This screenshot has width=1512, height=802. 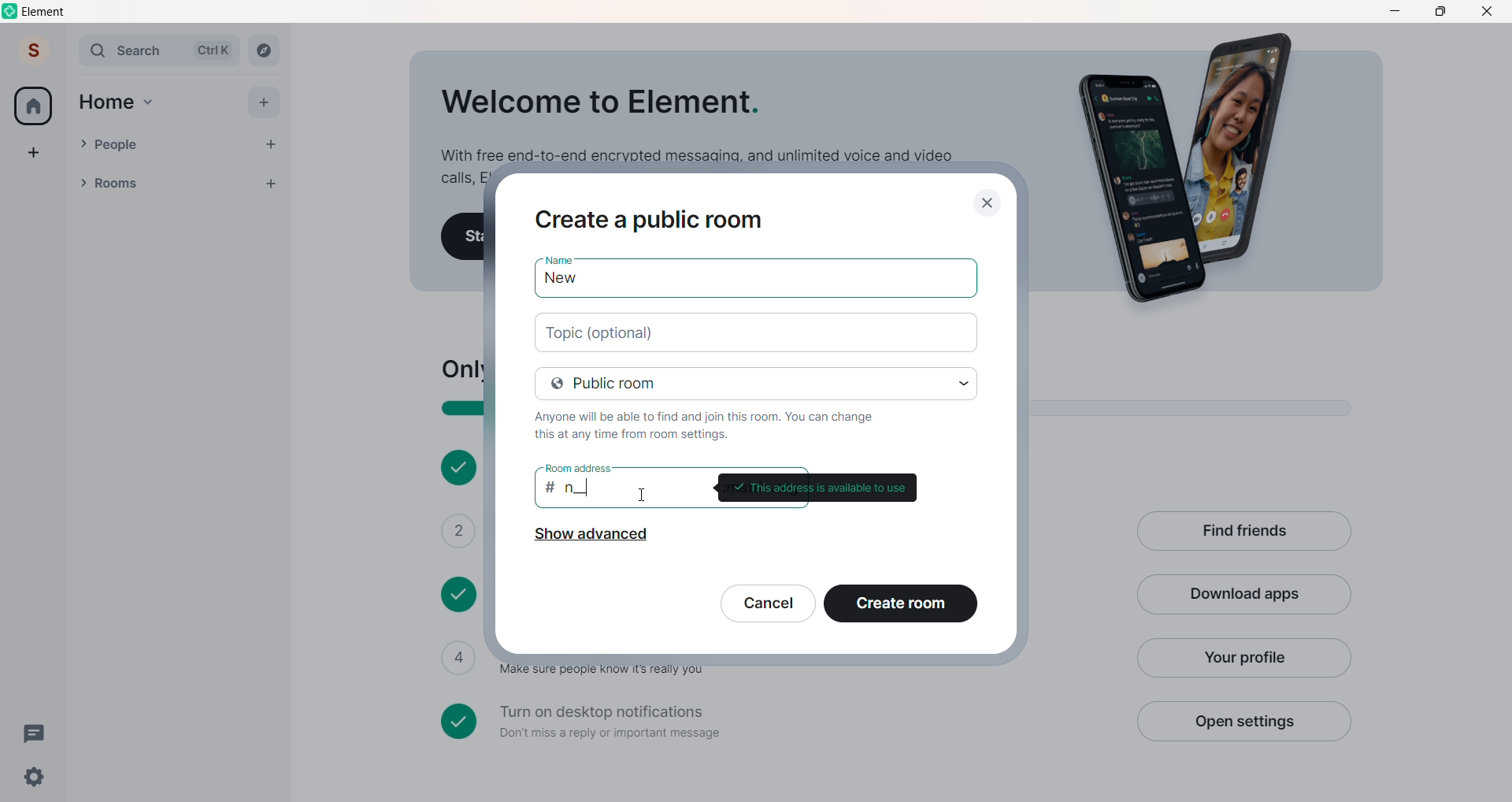 I want to click on Home Drop Down, so click(x=149, y=102).